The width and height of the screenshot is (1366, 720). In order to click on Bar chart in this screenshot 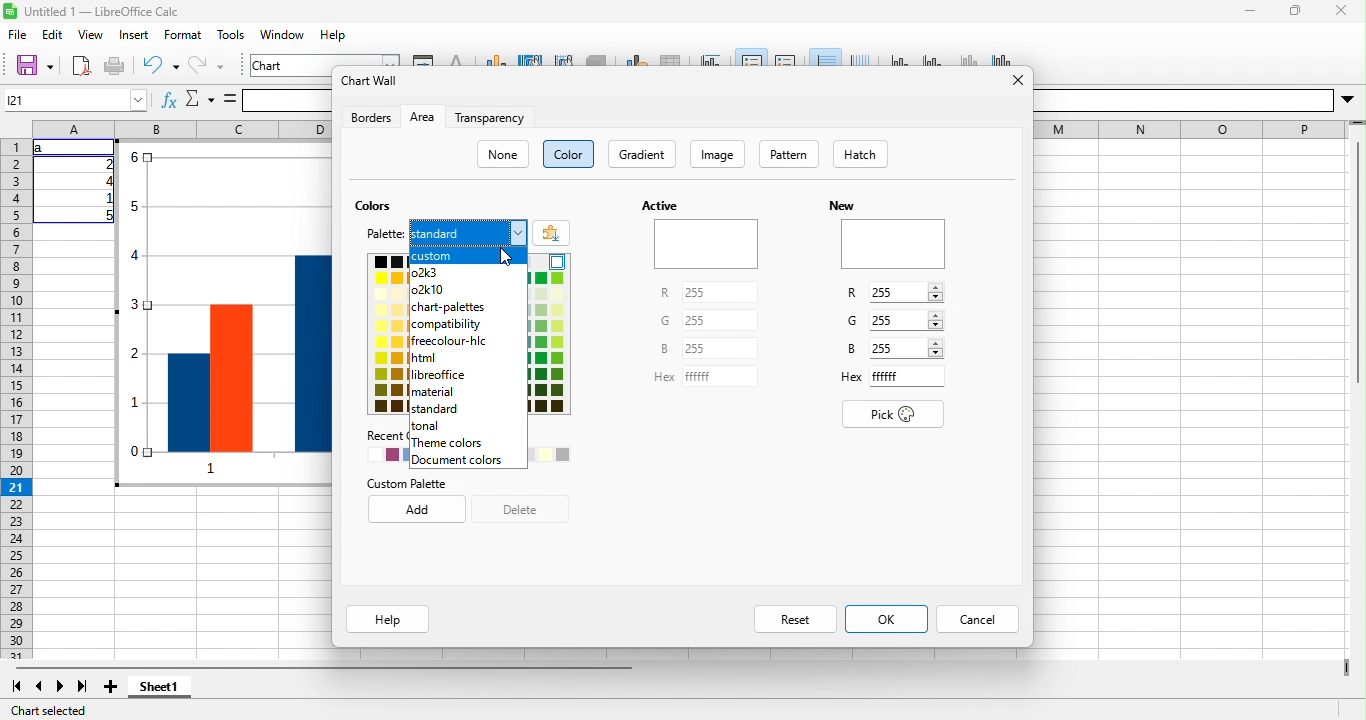, I will do `click(223, 313)`.